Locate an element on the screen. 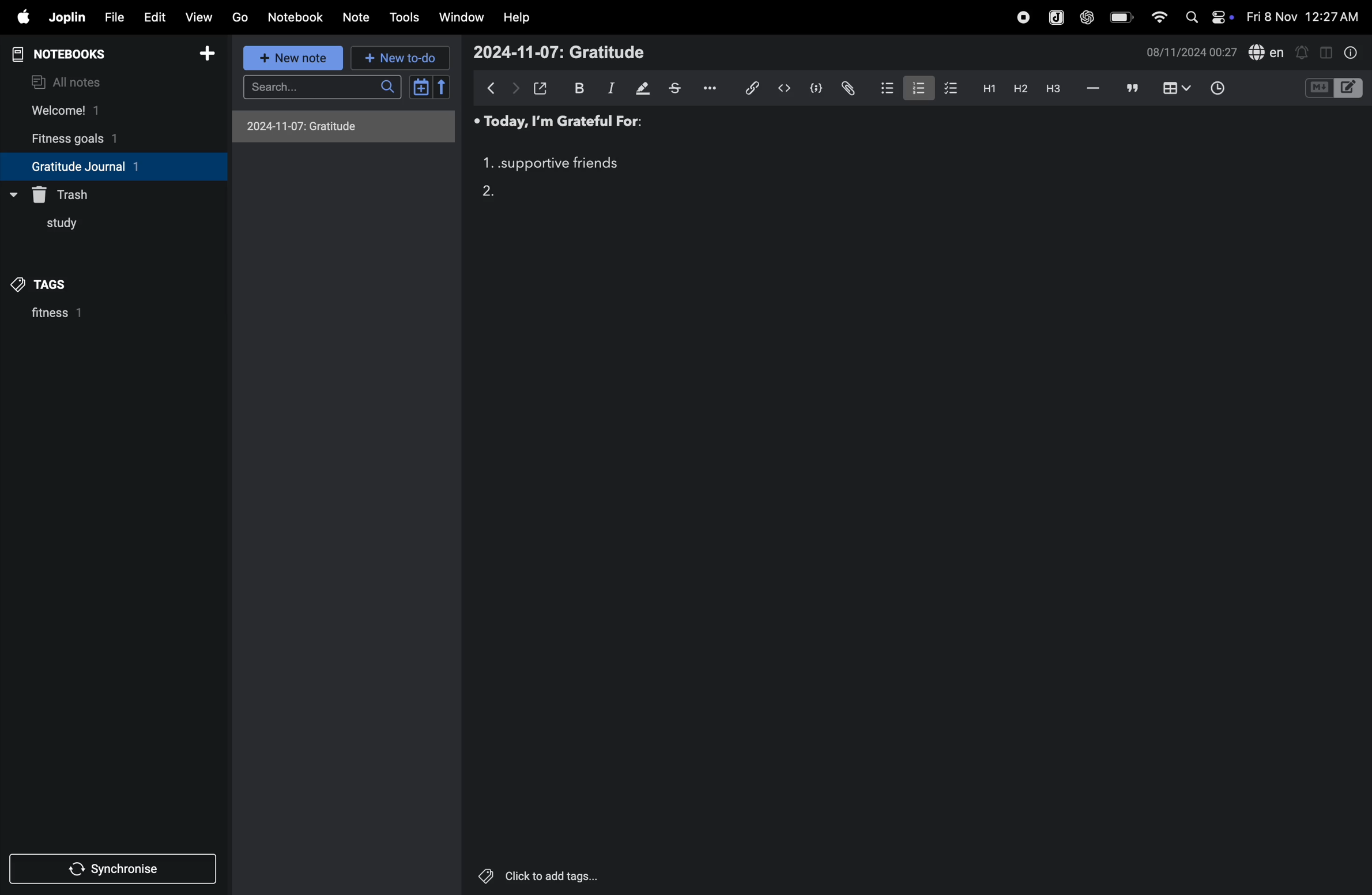 The height and width of the screenshot is (895, 1372). highlight is located at coordinates (643, 88).